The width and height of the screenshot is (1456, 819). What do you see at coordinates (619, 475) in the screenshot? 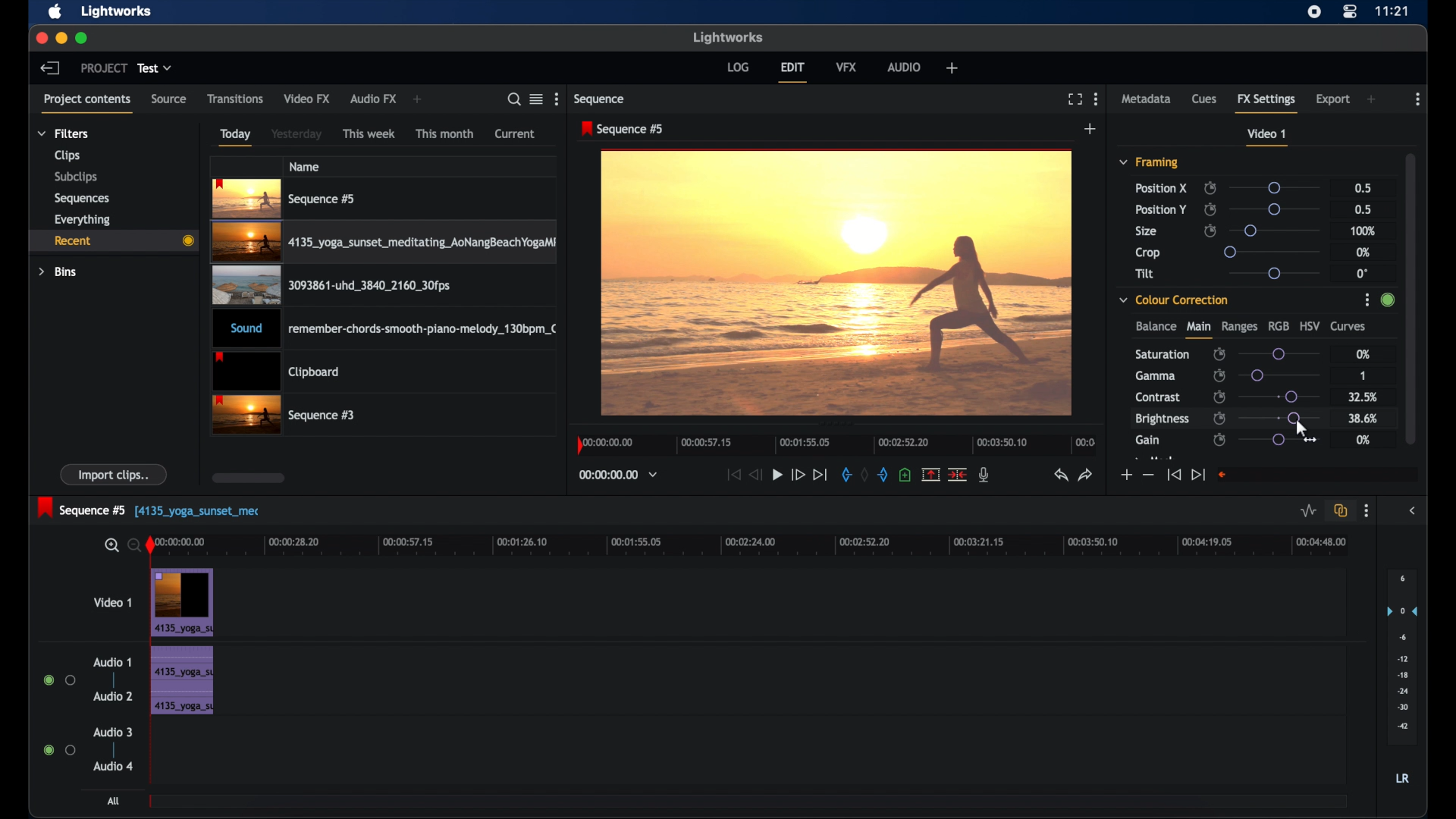
I see `timecodesand reels` at bounding box center [619, 475].